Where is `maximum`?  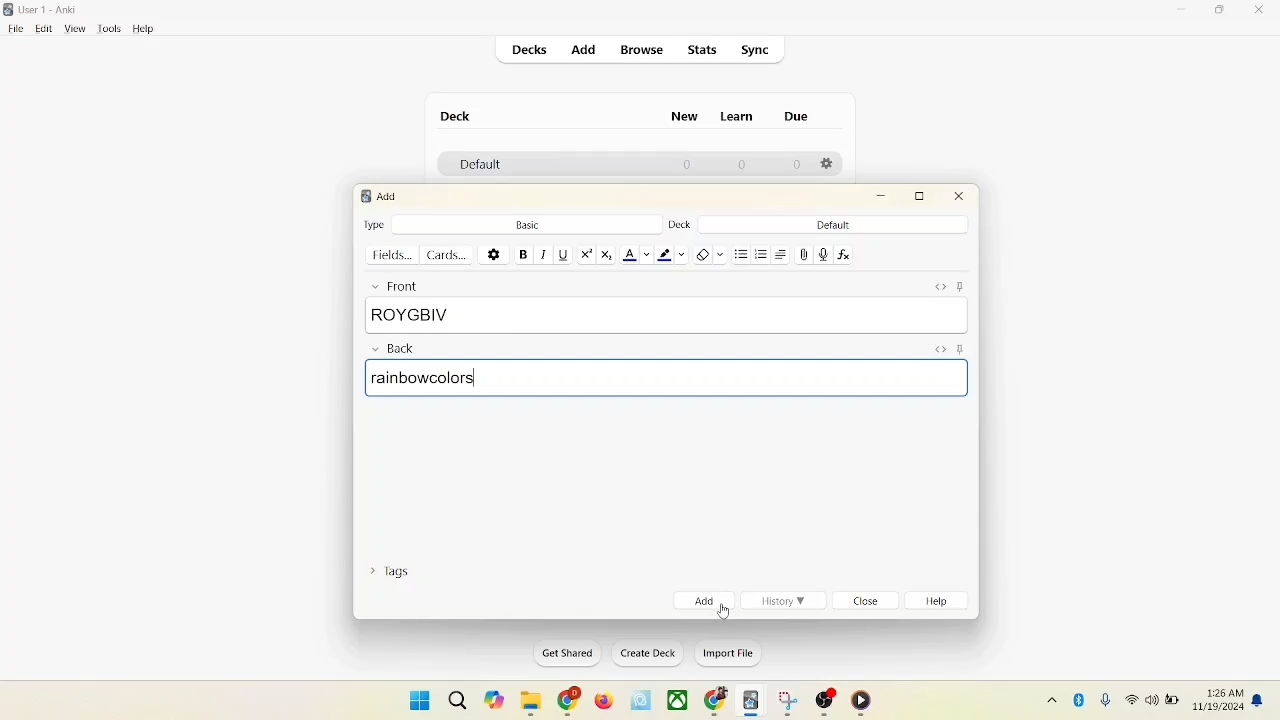
maximum is located at coordinates (923, 196).